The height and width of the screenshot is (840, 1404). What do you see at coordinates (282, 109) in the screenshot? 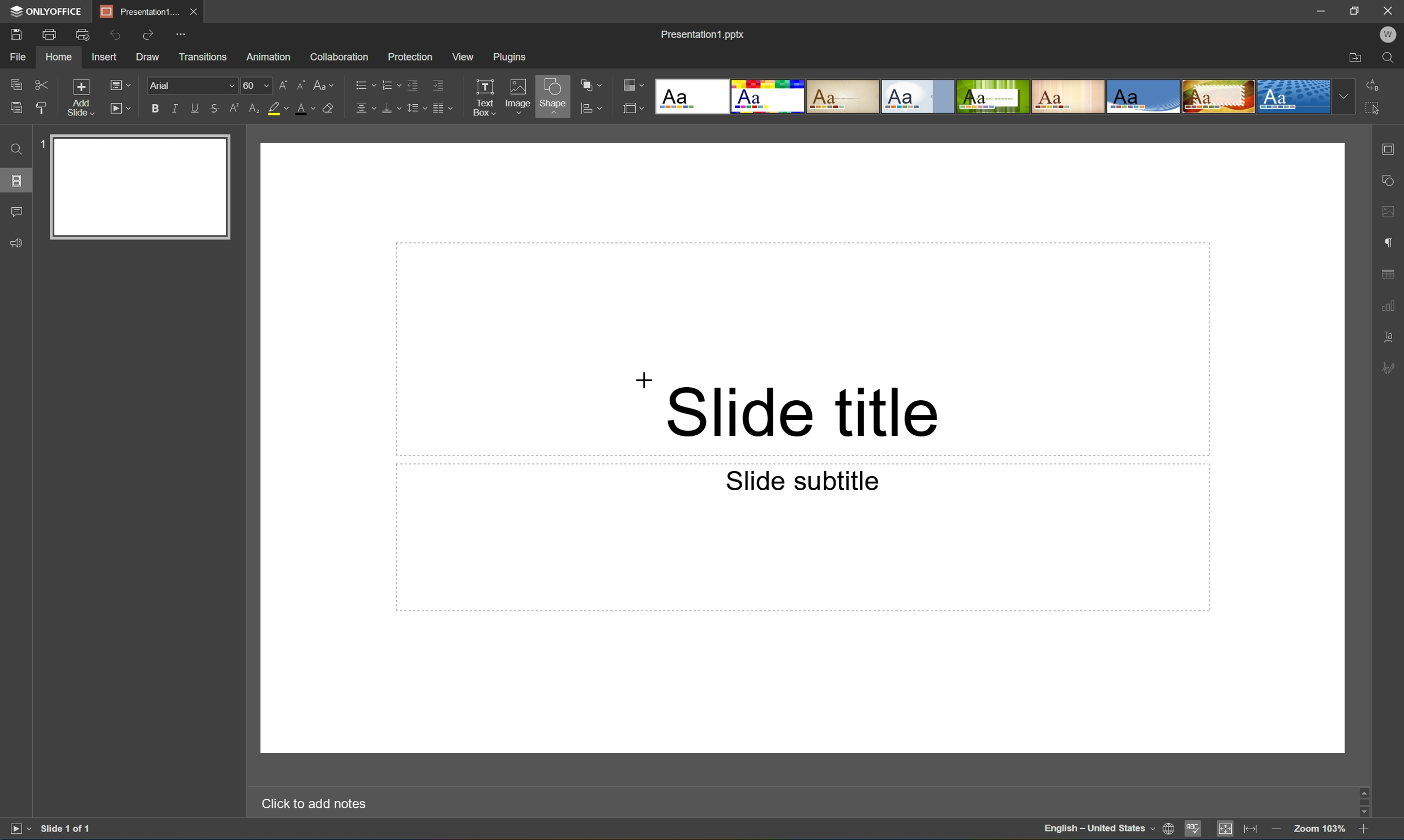
I see `Highlight color` at bounding box center [282, 109].